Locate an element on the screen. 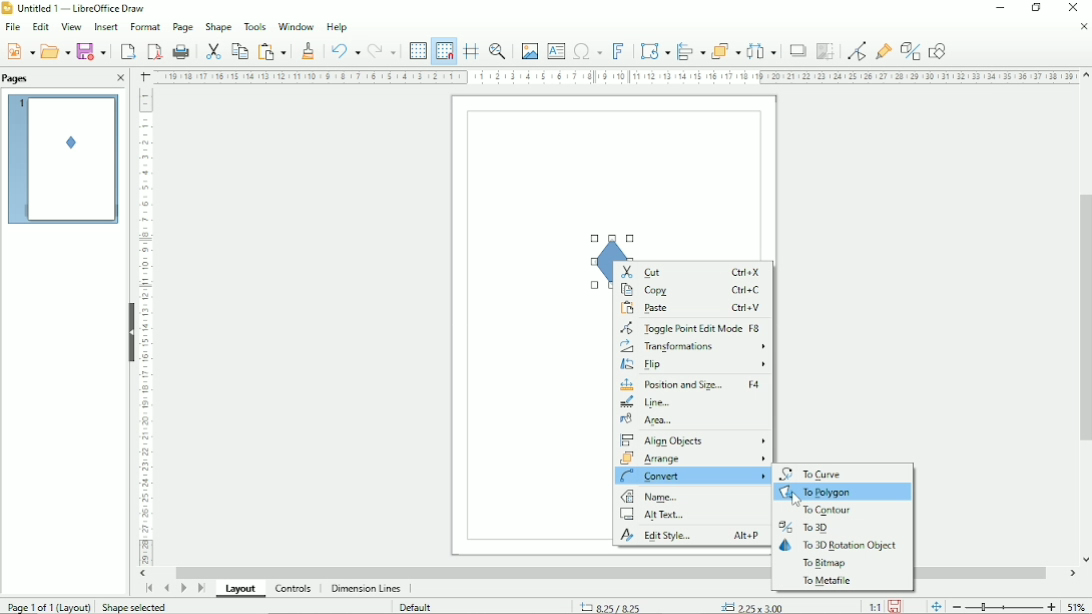 This screenshot has width=1092, height=614. Zoom & pan is located at coordinates (499, 51).